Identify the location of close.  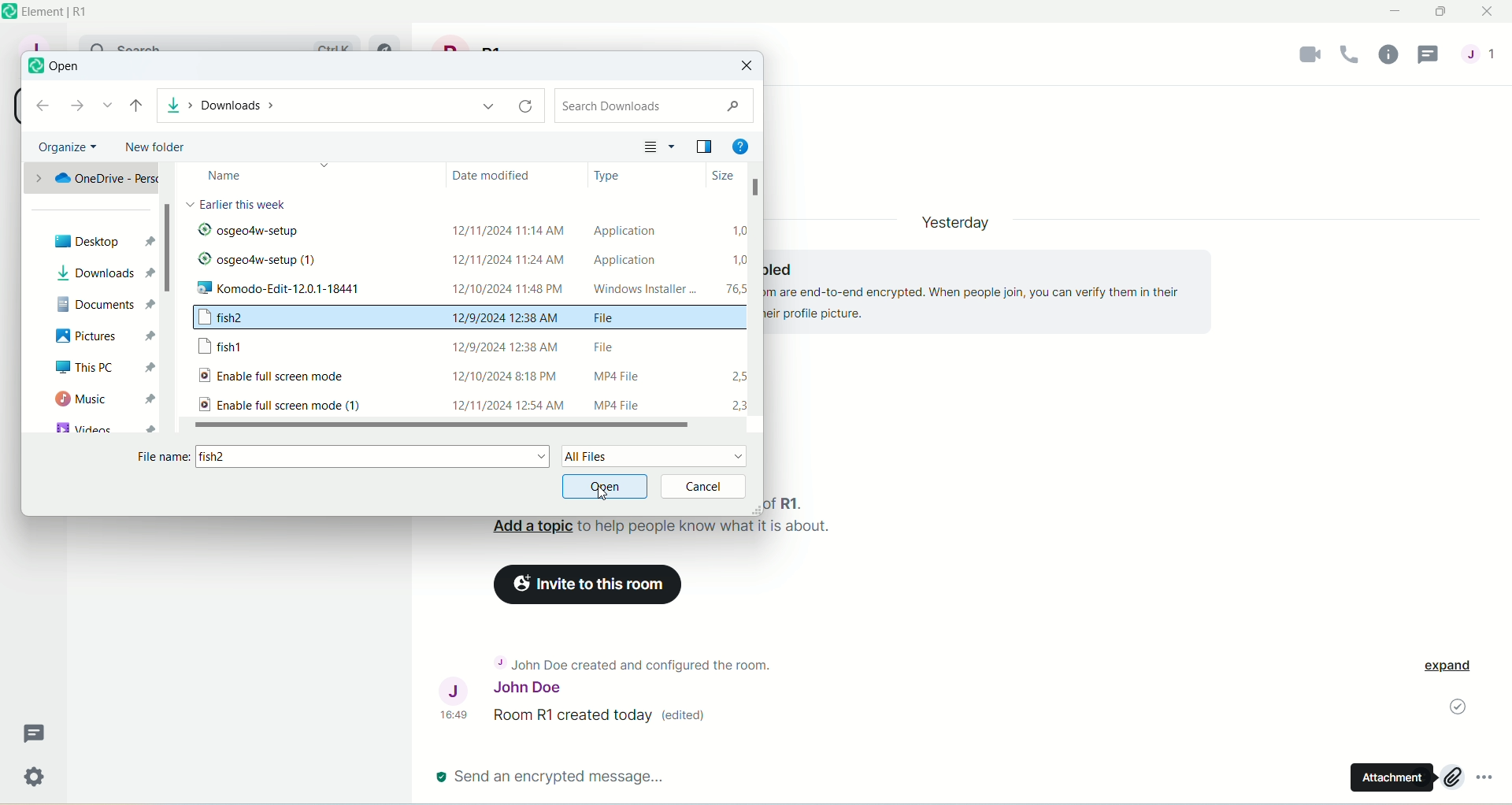
(748, 66).